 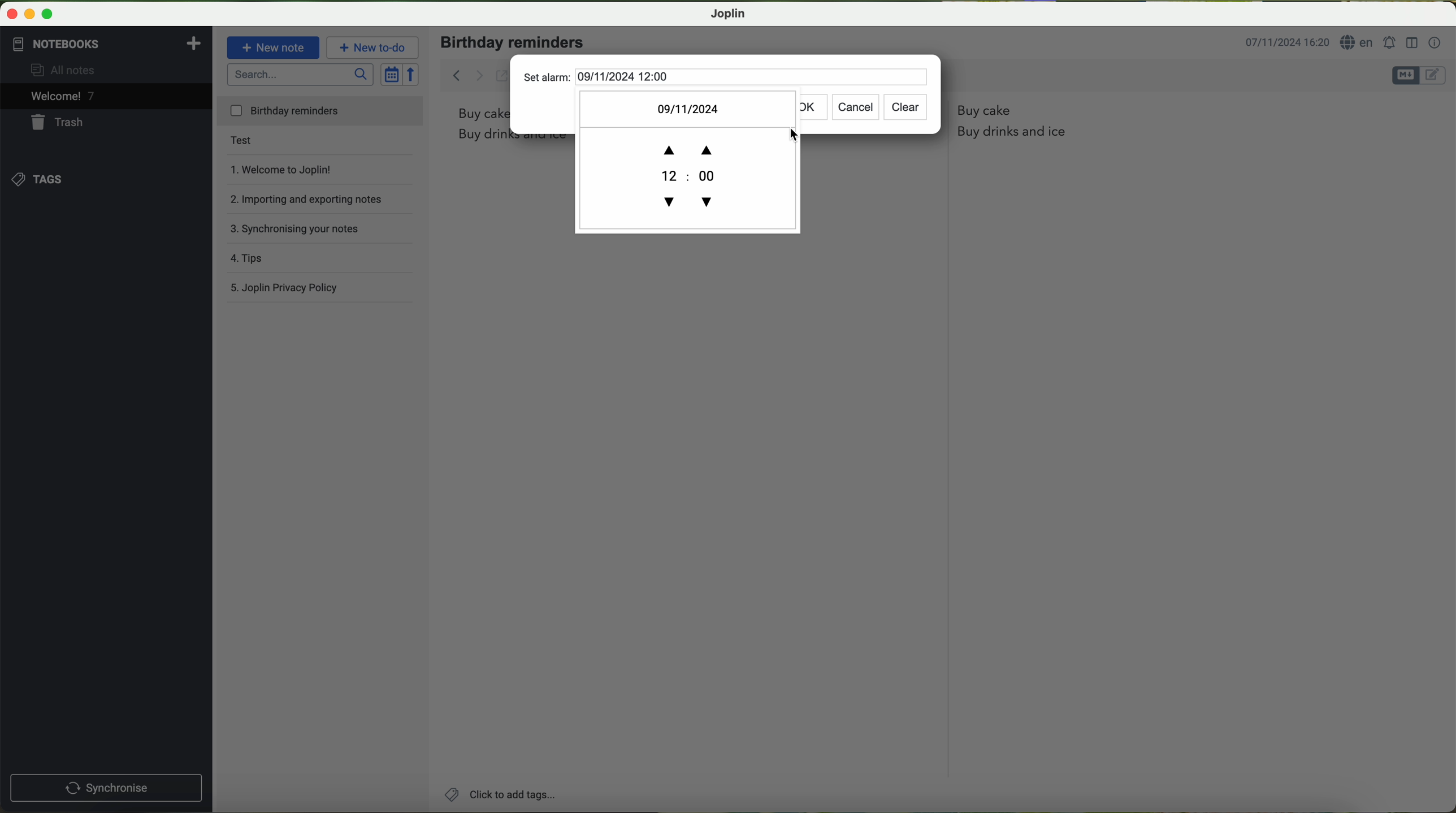 I want to click on cancel, so click(x=854, y=106).